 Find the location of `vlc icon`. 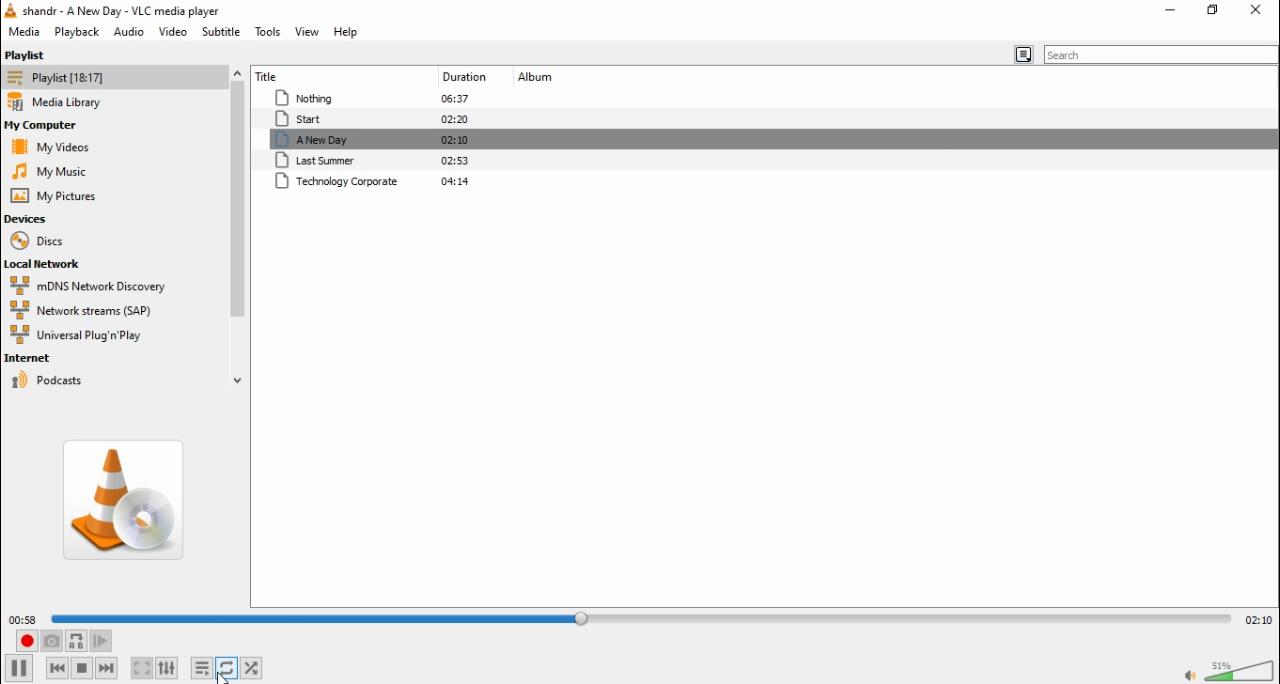

vlc icon is located at coordinates (10, 11).